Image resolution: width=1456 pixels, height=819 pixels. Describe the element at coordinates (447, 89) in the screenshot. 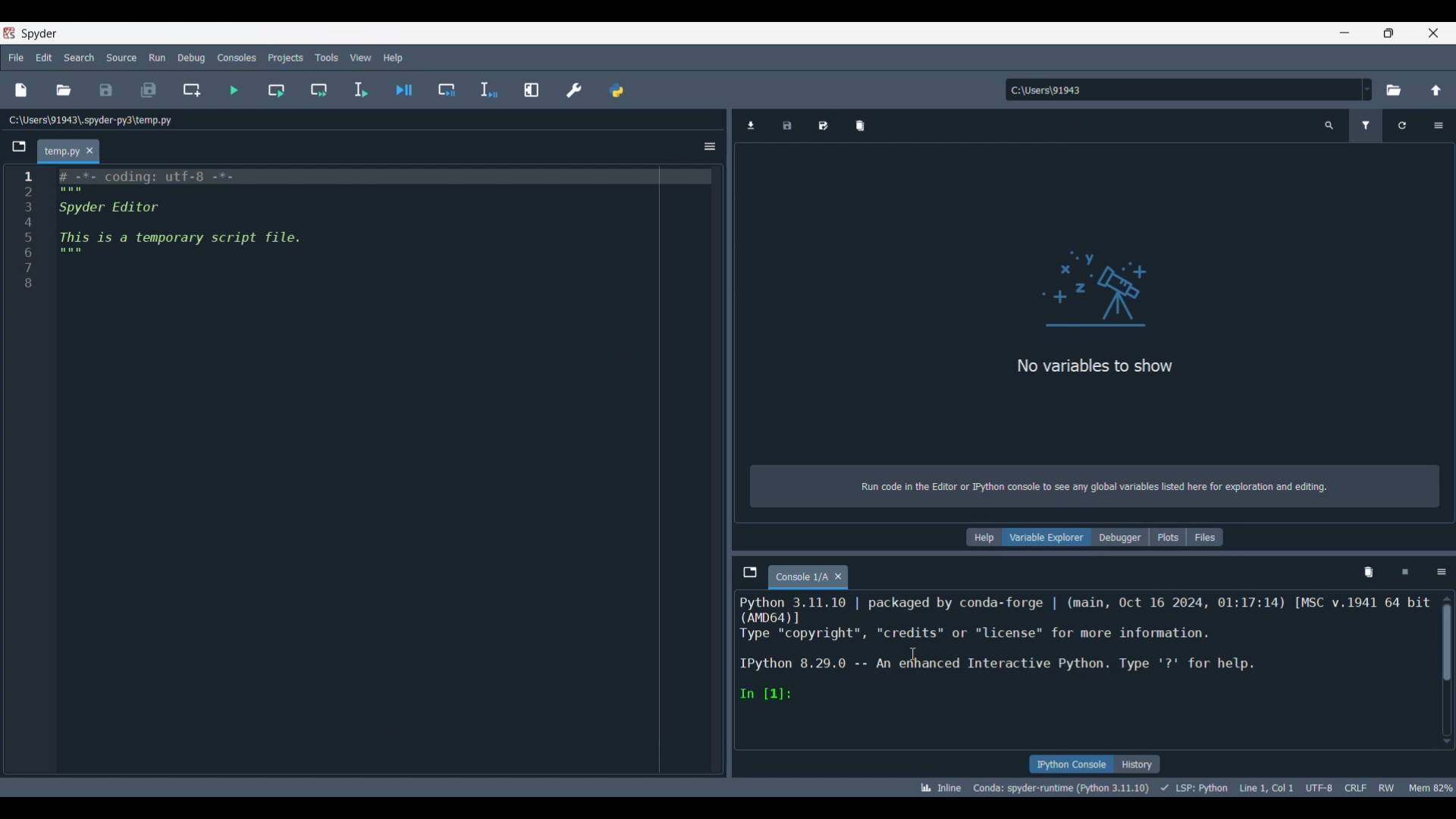

I see `Debug cell` at that location.